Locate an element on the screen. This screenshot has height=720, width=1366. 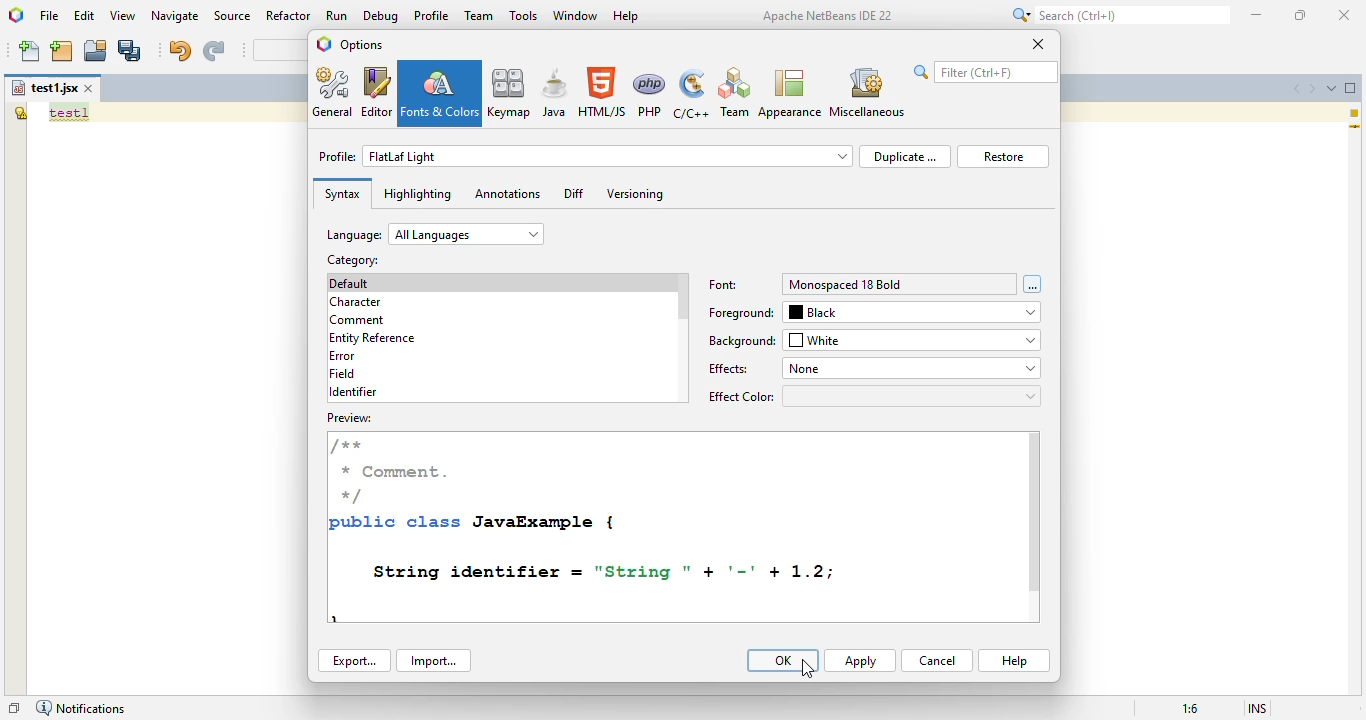
current line is located at coordinates (1355, 128).